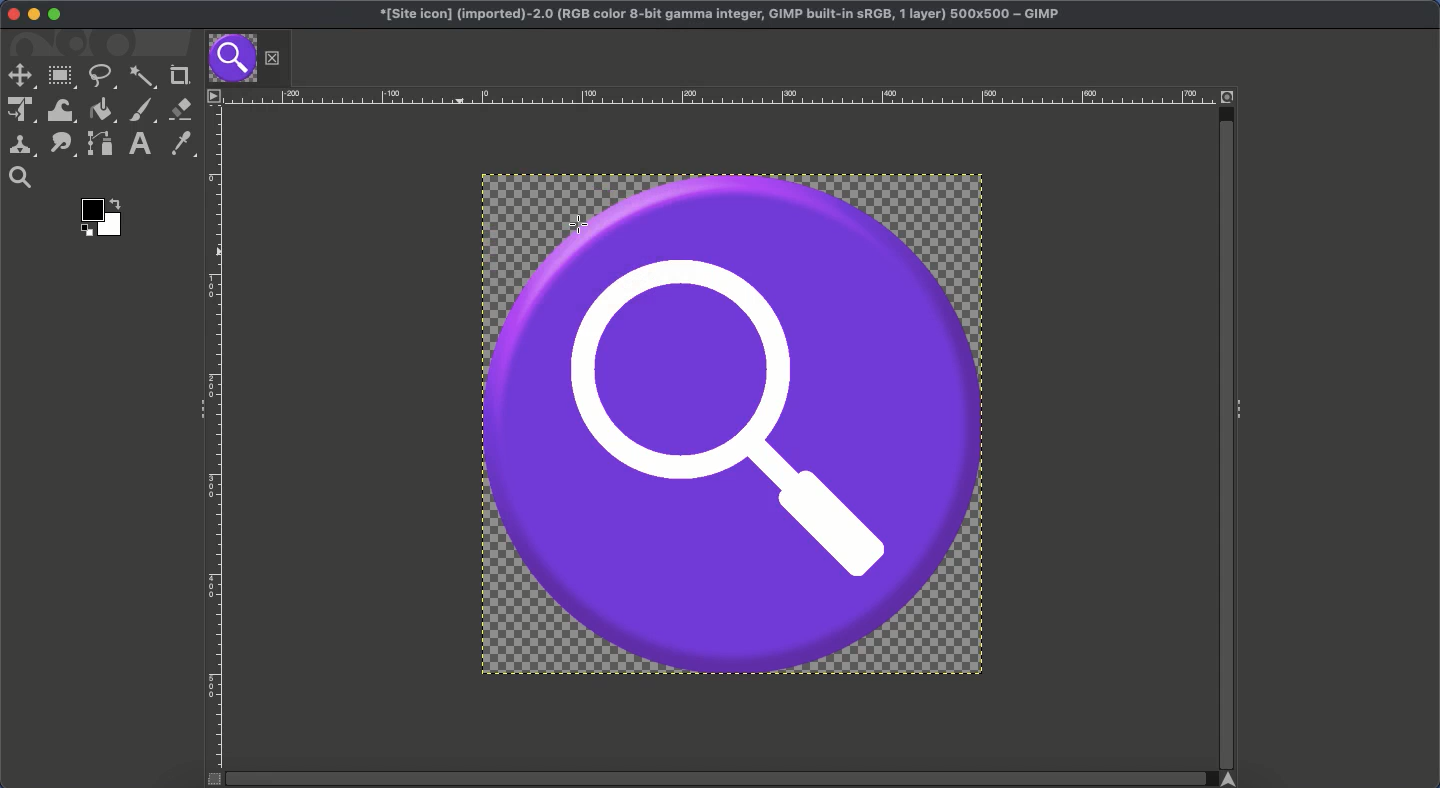 The width and height of the screenshot is (1440, 788). I want to click on Tab, so click(248, 59).